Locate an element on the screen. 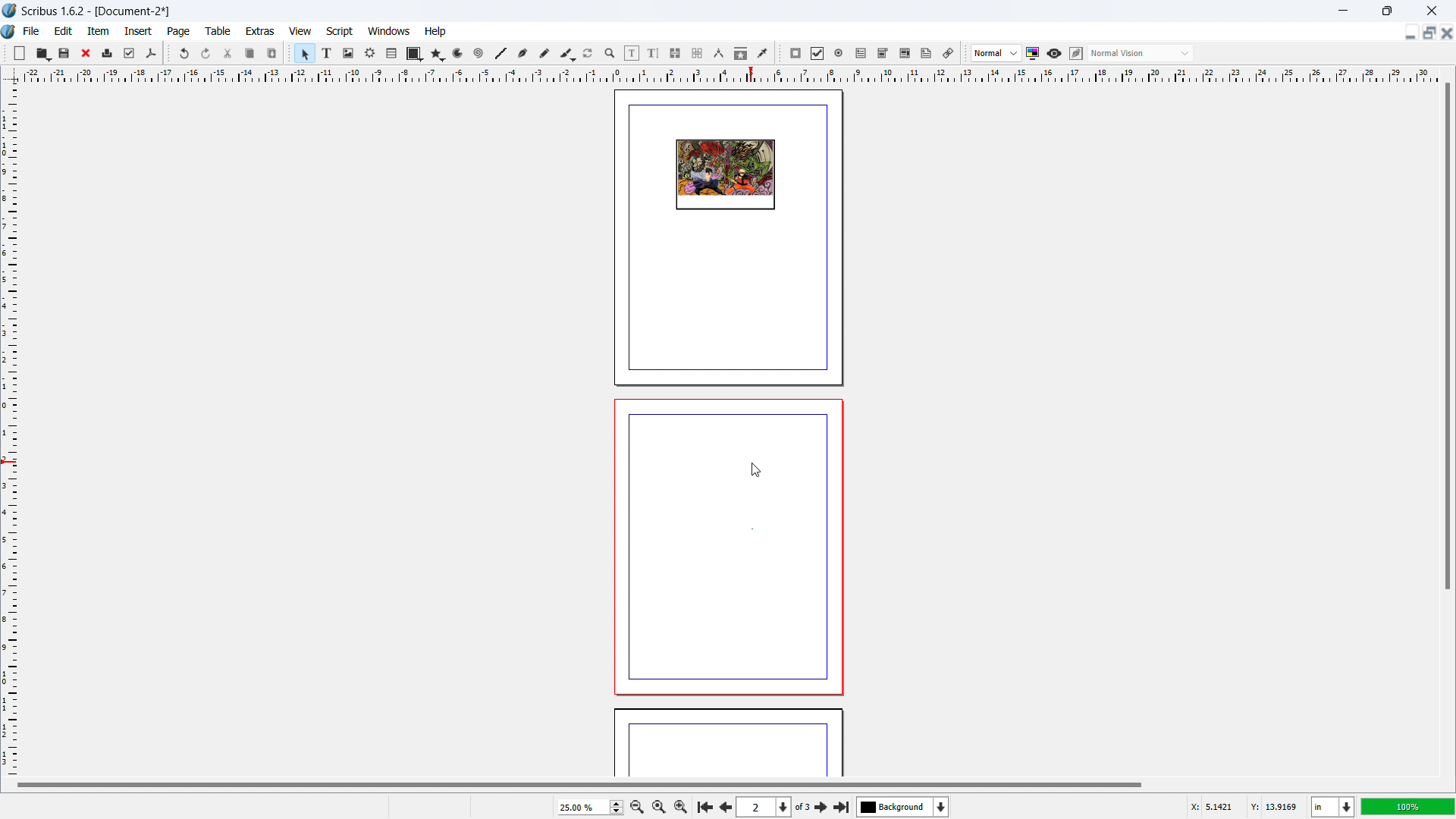  cursor is located at coordinates (755, 469).